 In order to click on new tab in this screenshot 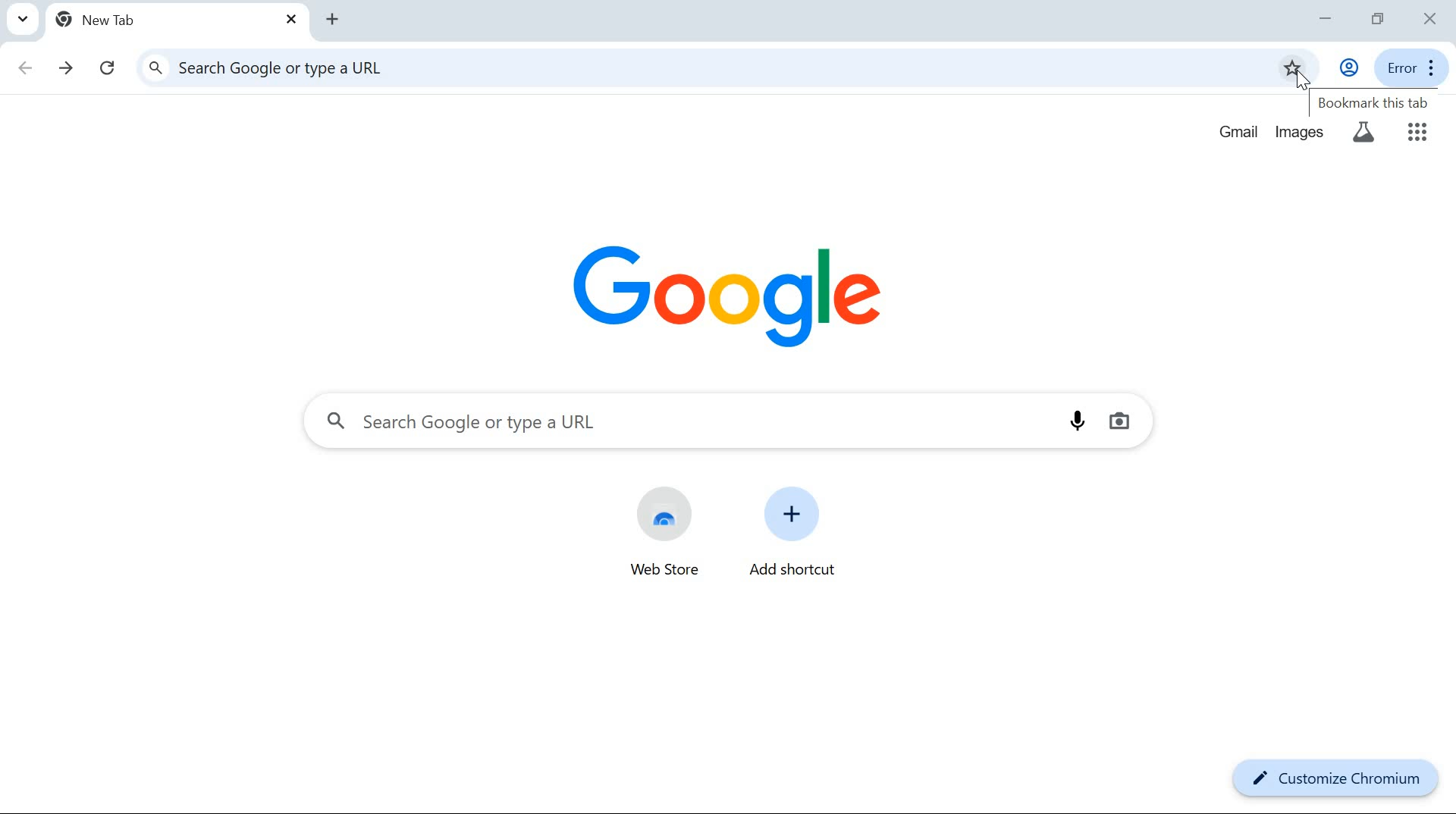, I will do `click(111, 19)`.